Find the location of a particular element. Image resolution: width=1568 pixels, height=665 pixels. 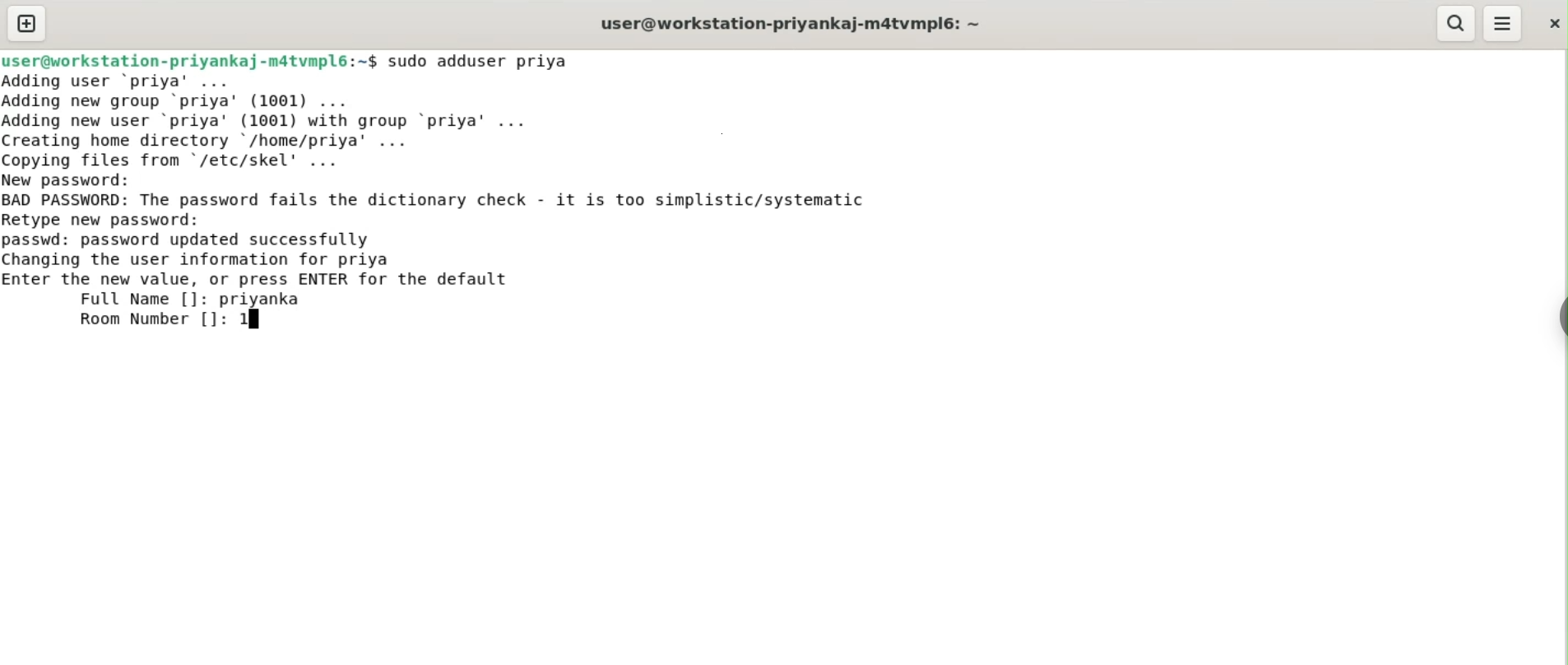

user@workstation-priyankaj-m4tvmpl6:~ is located at coordinates (787, 23).